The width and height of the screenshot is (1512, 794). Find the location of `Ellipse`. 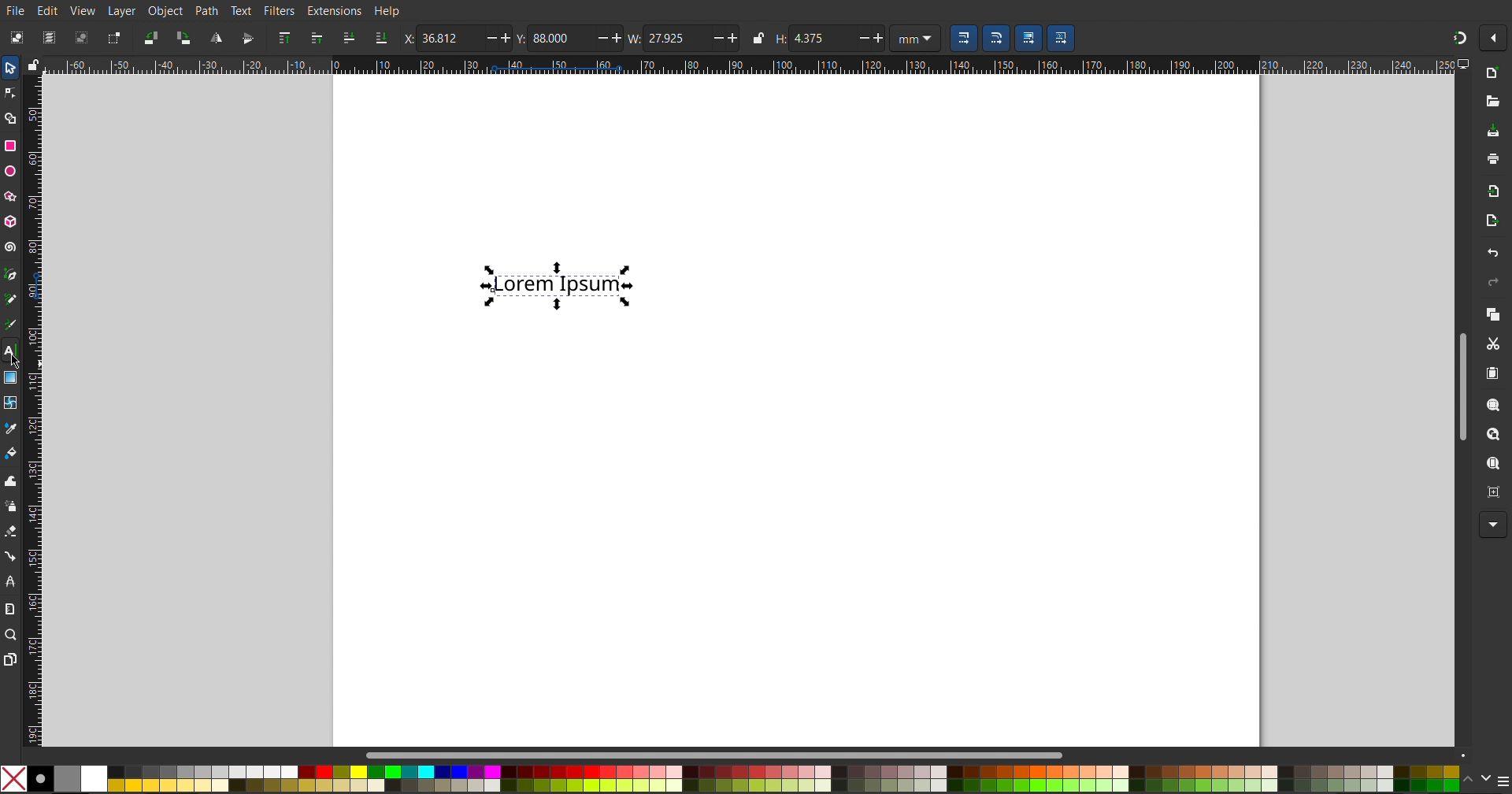

Ellipse is located at coordinates (11, 171).